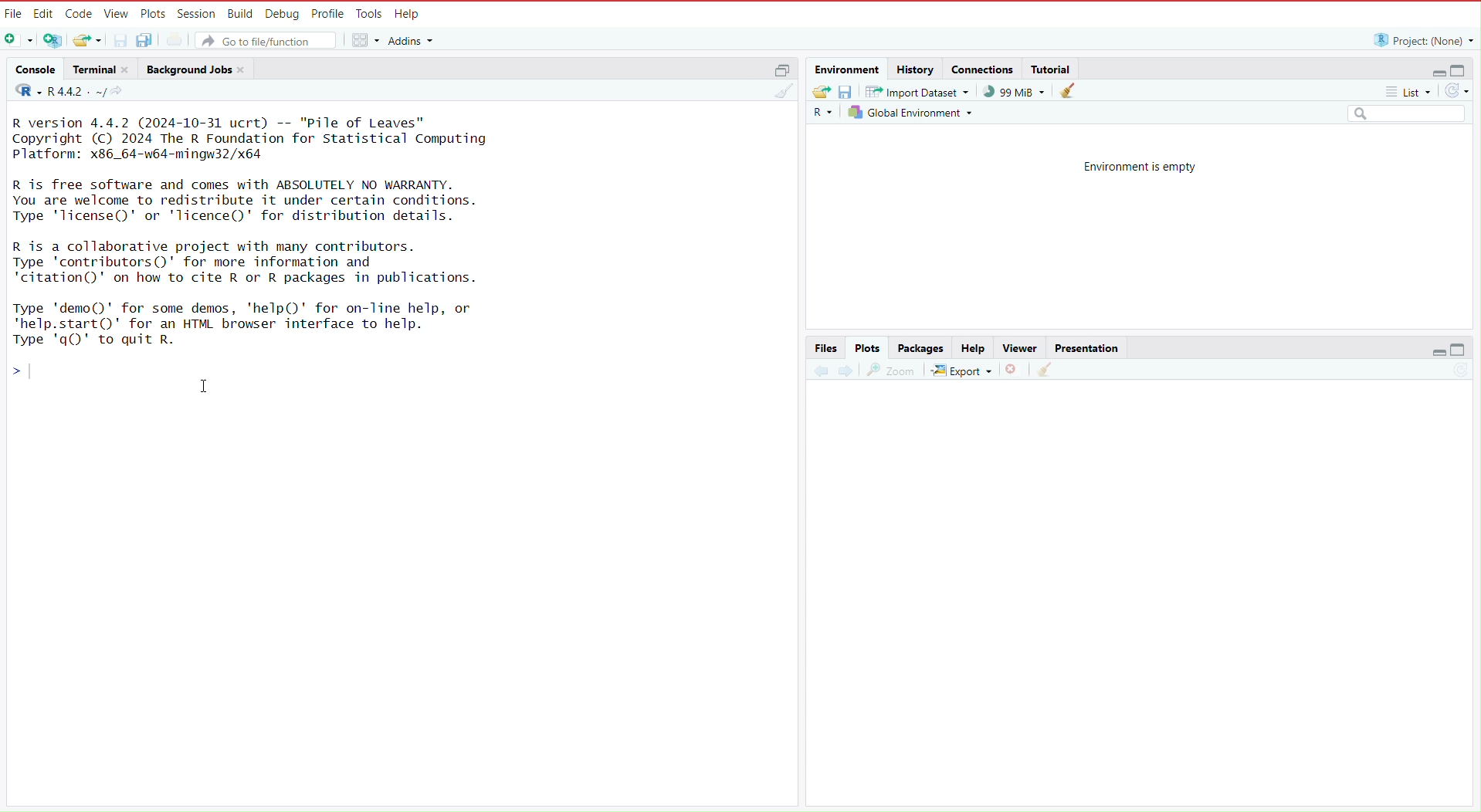 The image size is (1481, 812). What do you see at coordinates (1422, 40) in the screenshot?
I see `project: (None)` at bounding box center [1422, 40].